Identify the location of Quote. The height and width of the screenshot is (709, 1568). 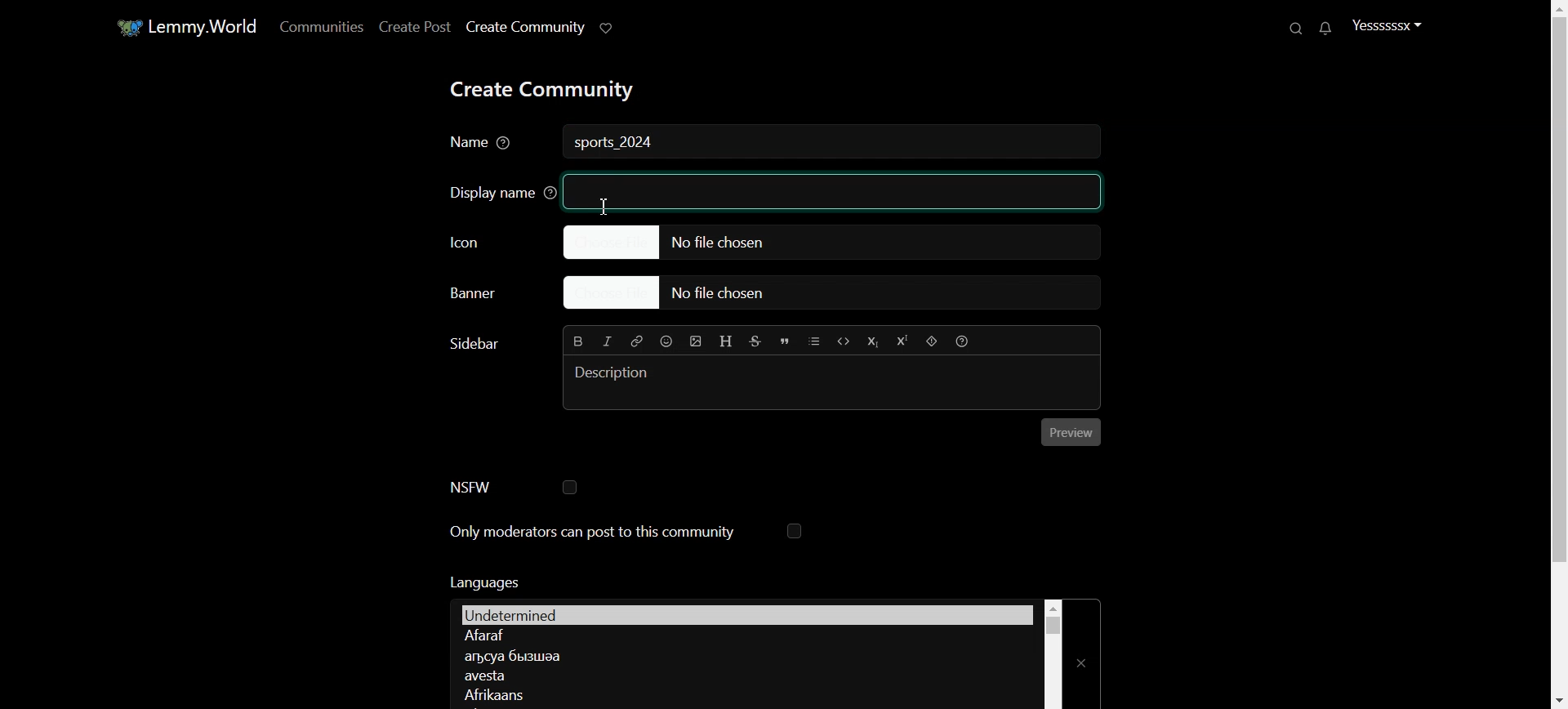
(785, 341).